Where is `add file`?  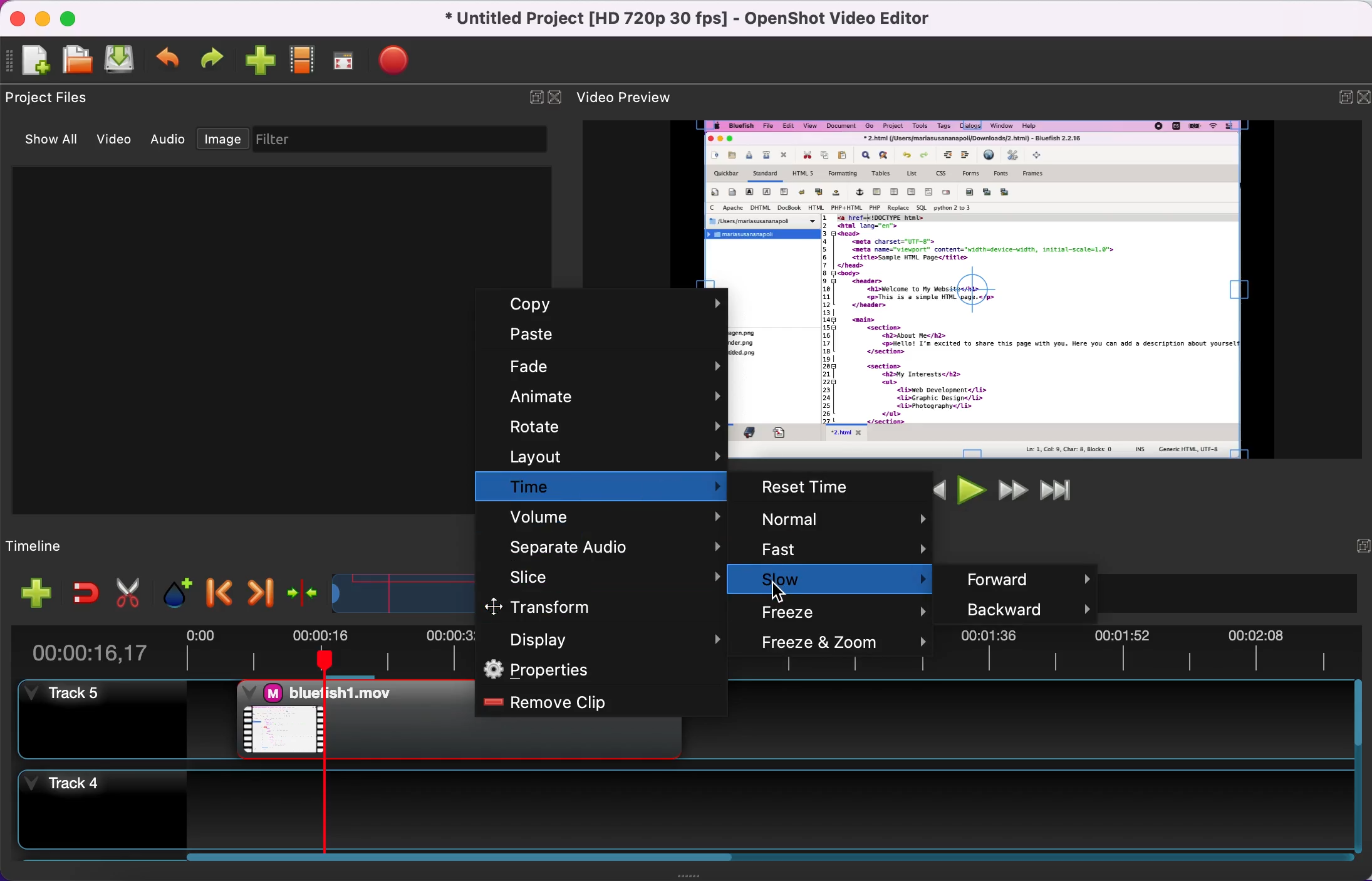 add file is located at coordinates (29, 593).